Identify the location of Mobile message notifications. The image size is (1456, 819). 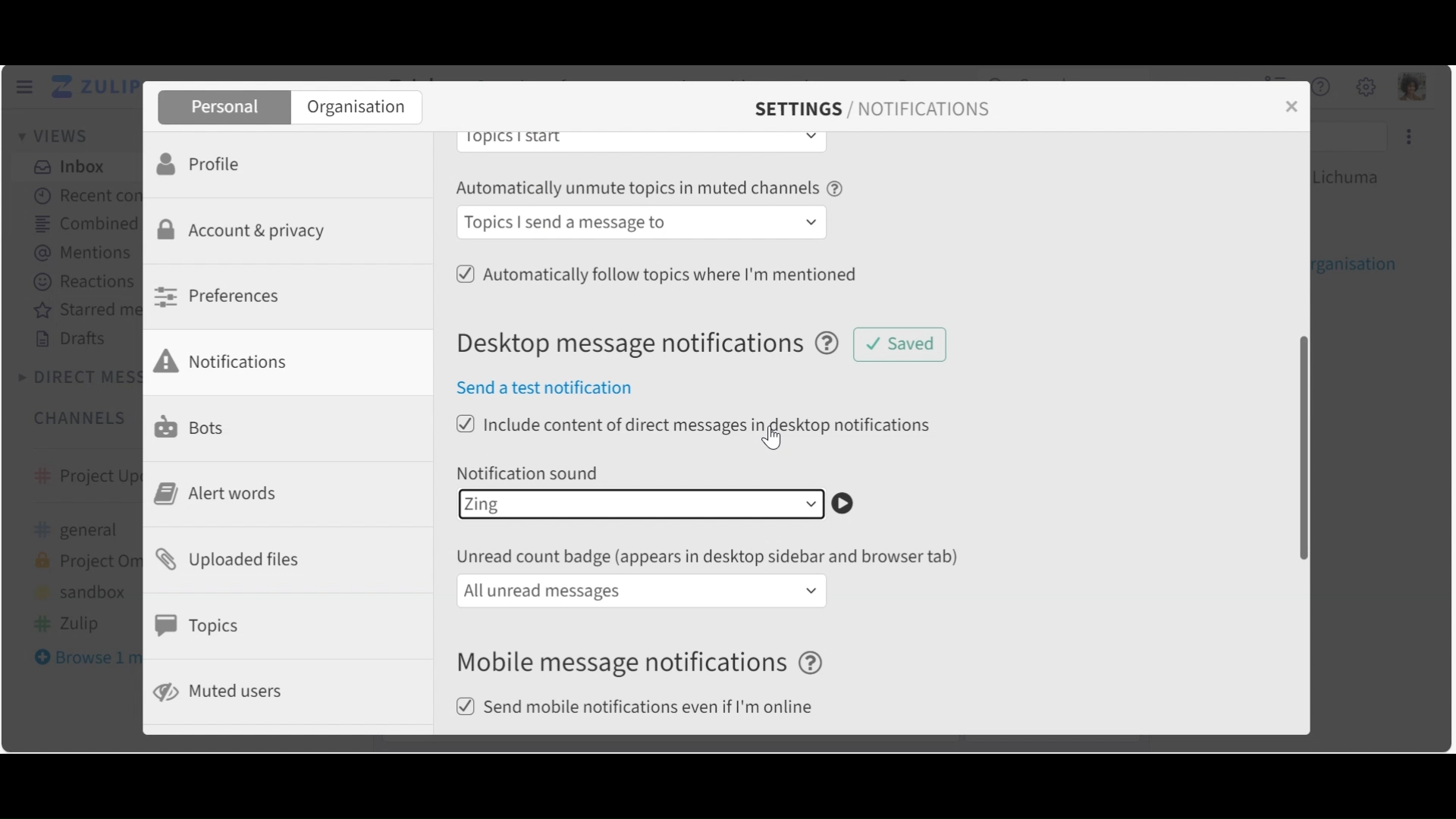
(644, 664).